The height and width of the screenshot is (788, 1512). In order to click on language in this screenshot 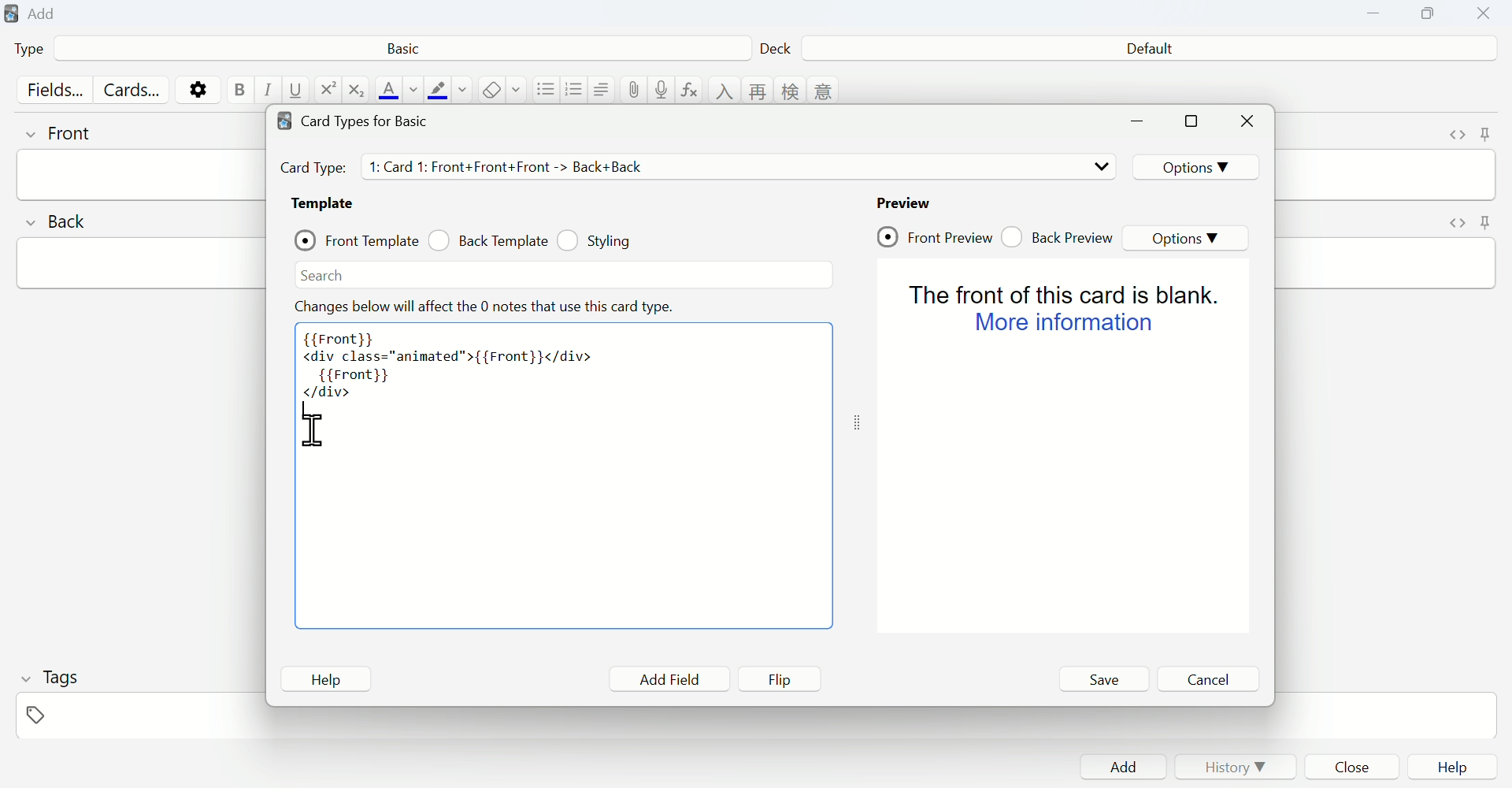, I will do `click(756, 90)`.